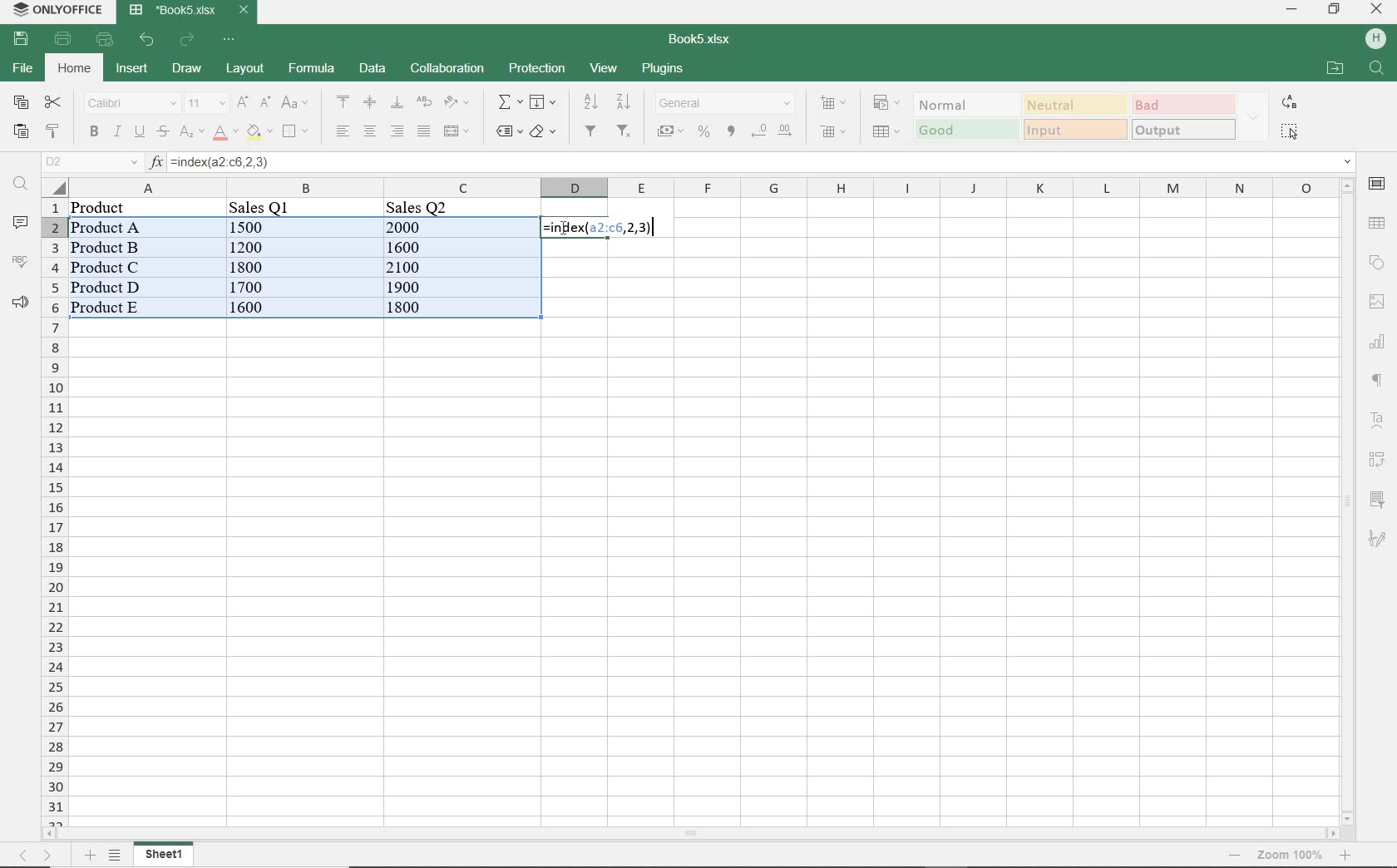 The height and width of the screenshot is (868, 1397). Describe the element at coordinates (833, 131) in the screenshot. I see `delete cells` at that location.